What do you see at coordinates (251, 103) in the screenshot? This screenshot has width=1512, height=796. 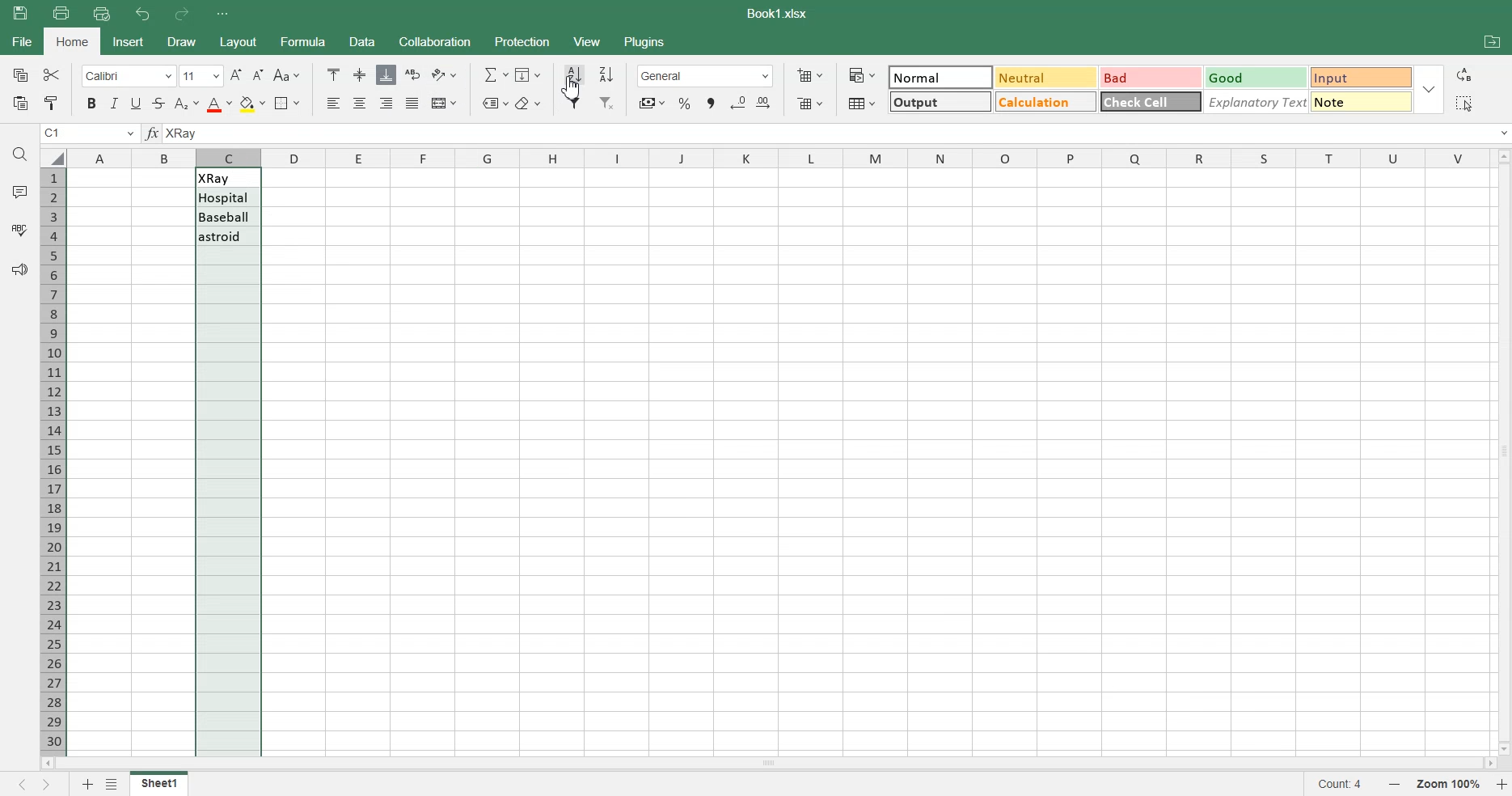 I see `Fill Color` at bounding box center [251, 103].